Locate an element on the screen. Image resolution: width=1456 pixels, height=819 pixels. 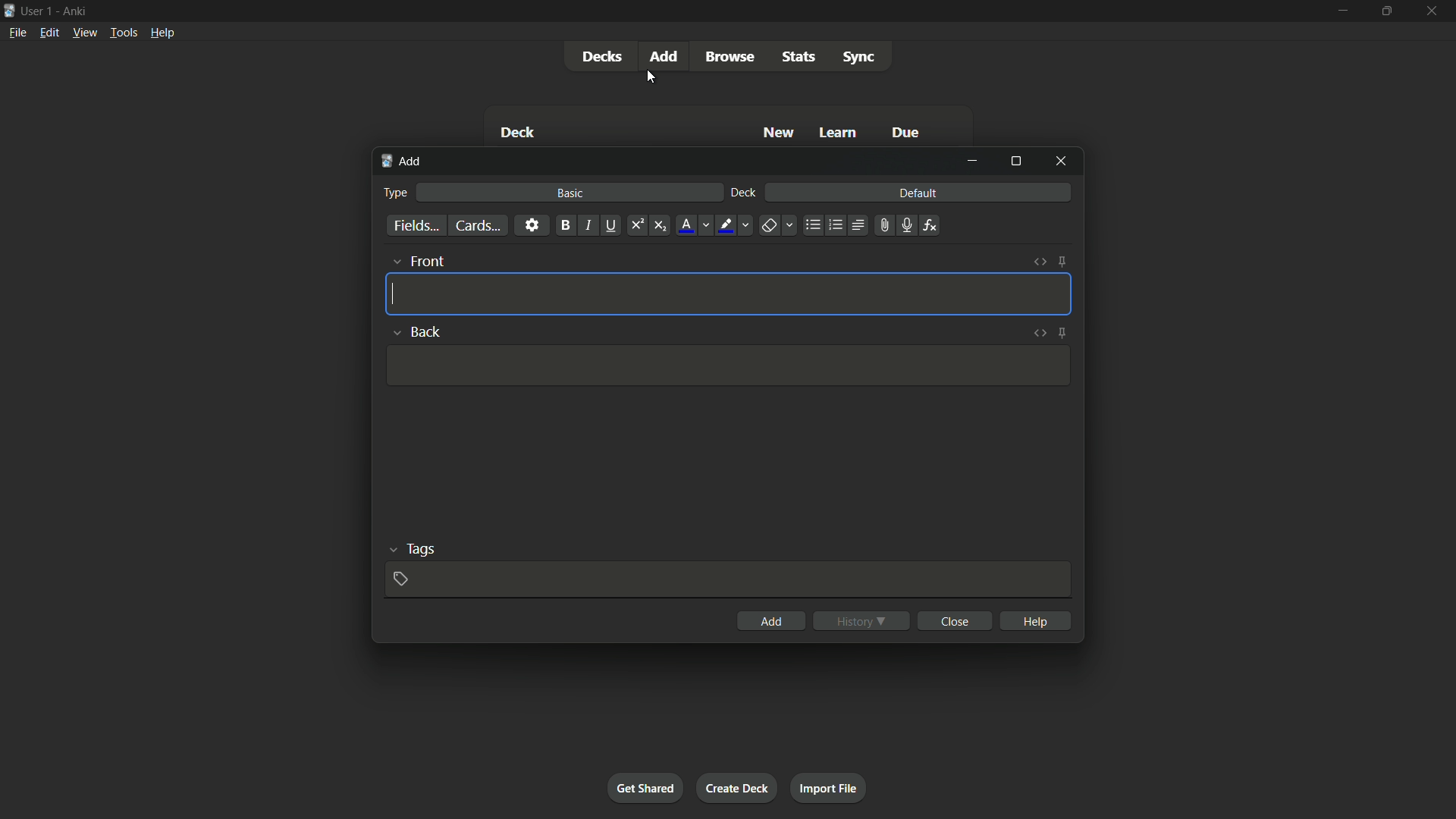
toggle sticky is located at coordinates (1063, 332).